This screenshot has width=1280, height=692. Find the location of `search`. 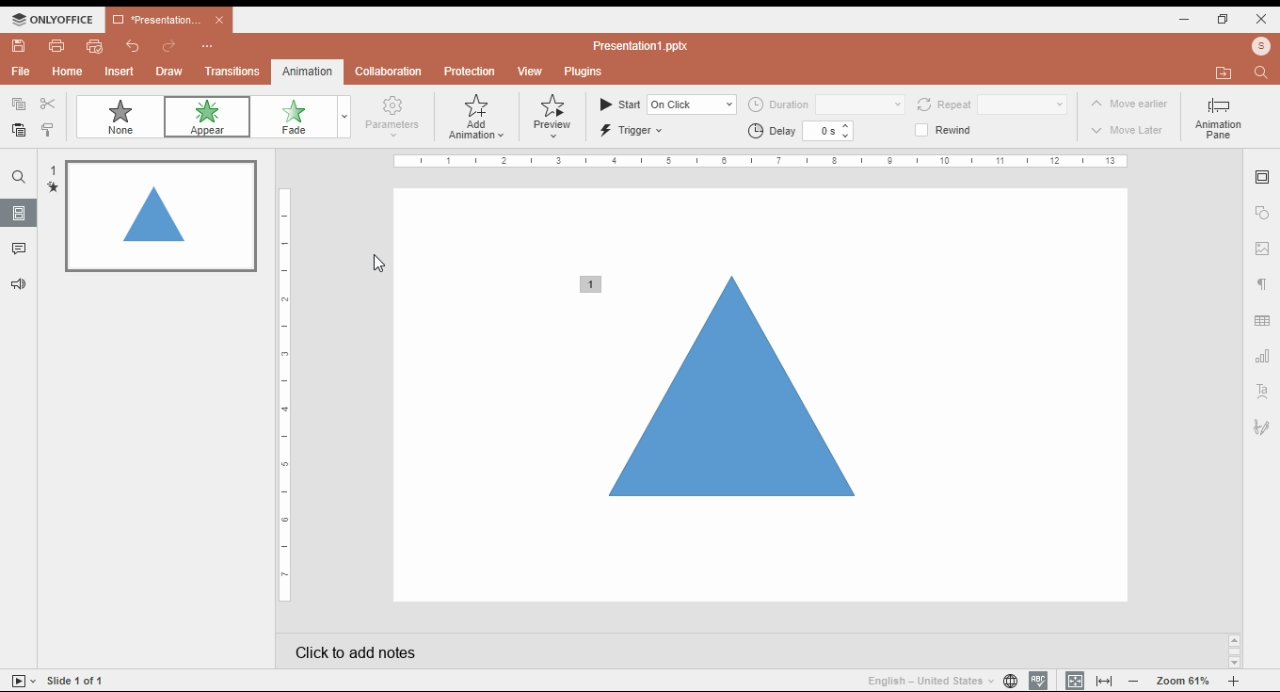

search is located at coordinates (21, 176).